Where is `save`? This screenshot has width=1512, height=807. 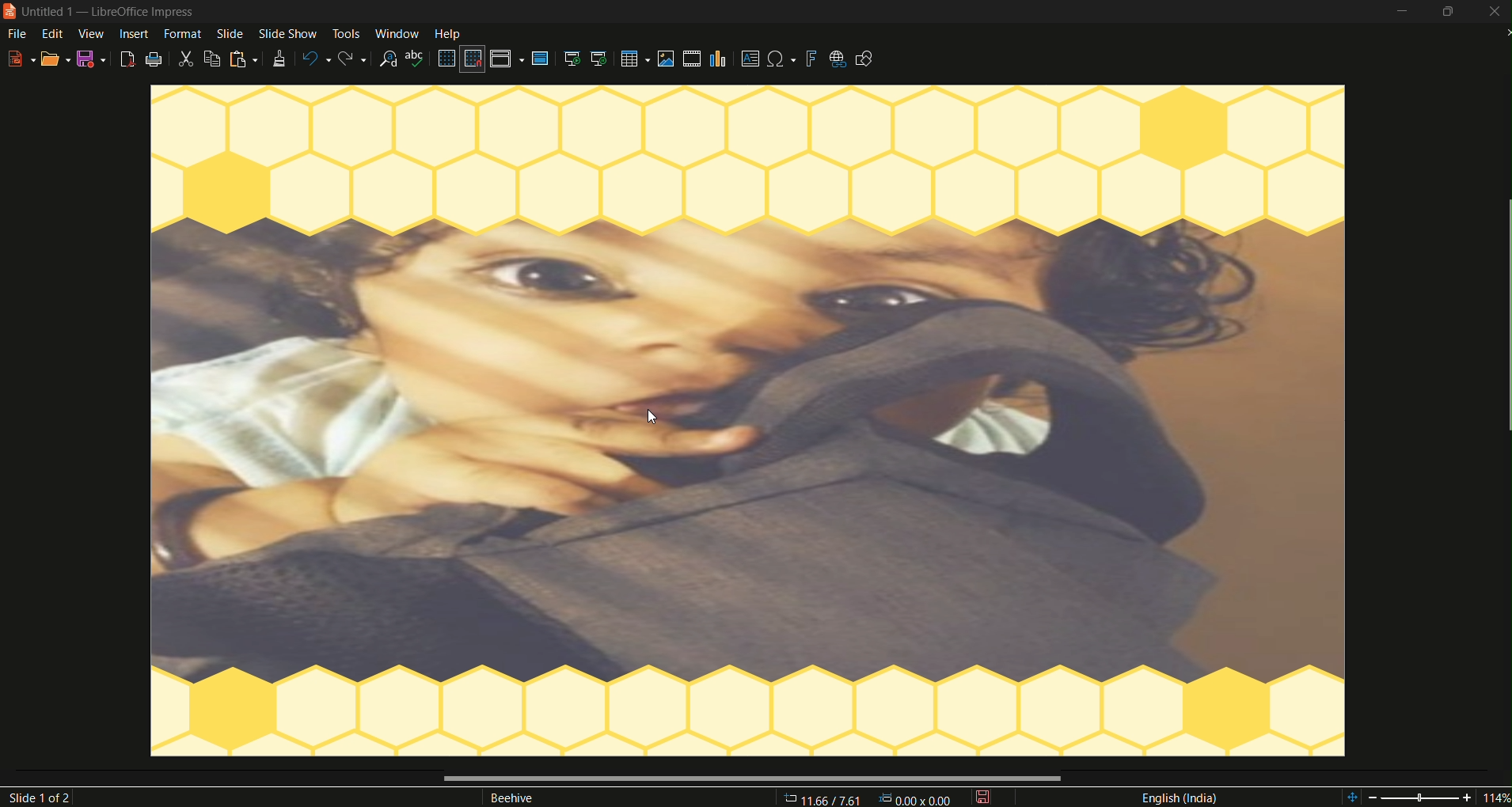 save is located at coordinates (92, 60).